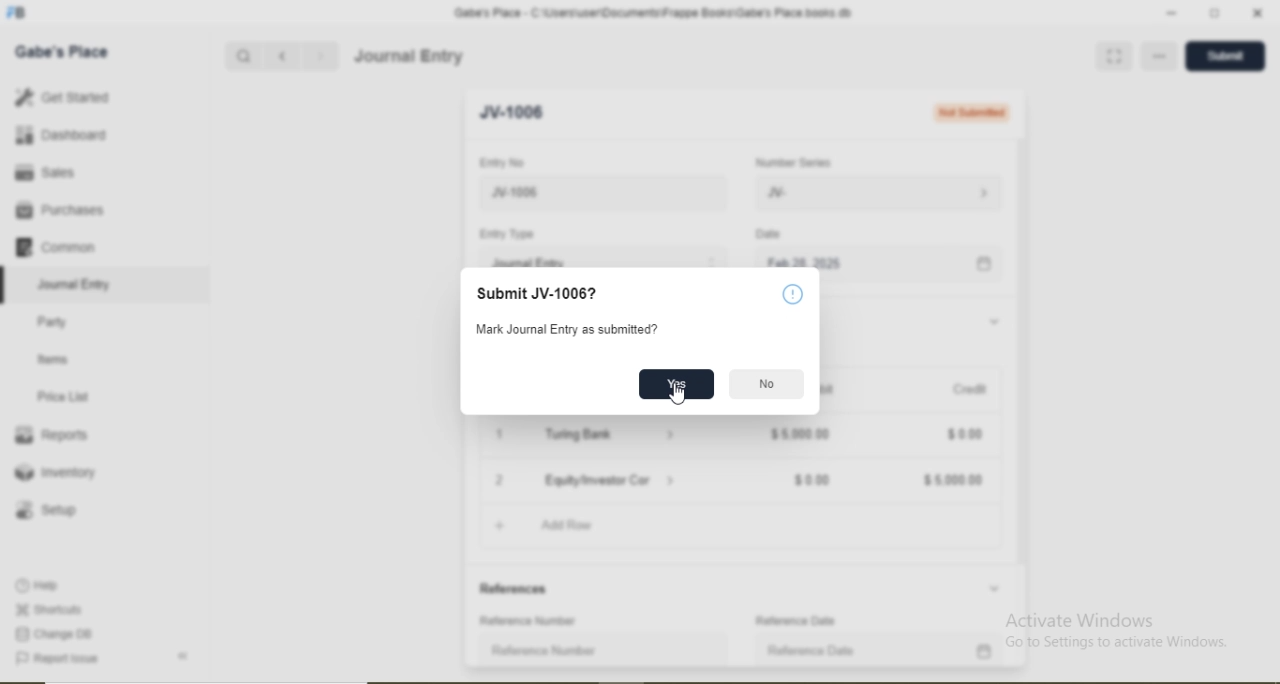 This screenshot has width=1280, height=684. What do you see at coordinates (984, 652) in the screenshot?
I see `Calendar` at bounding box center [984, 652].